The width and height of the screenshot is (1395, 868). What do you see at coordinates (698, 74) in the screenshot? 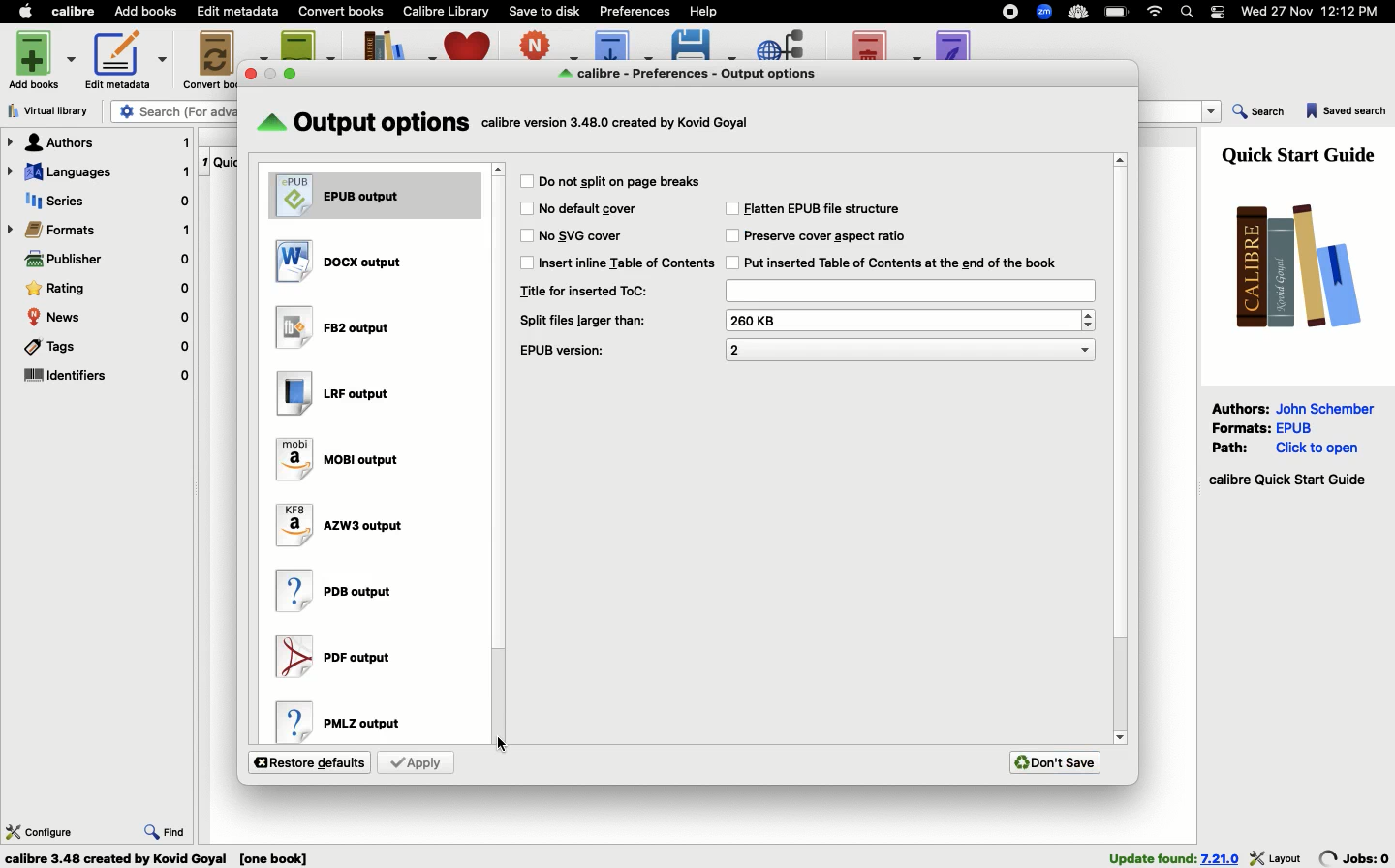
I see `Output options` at bounding box center [698, 74].